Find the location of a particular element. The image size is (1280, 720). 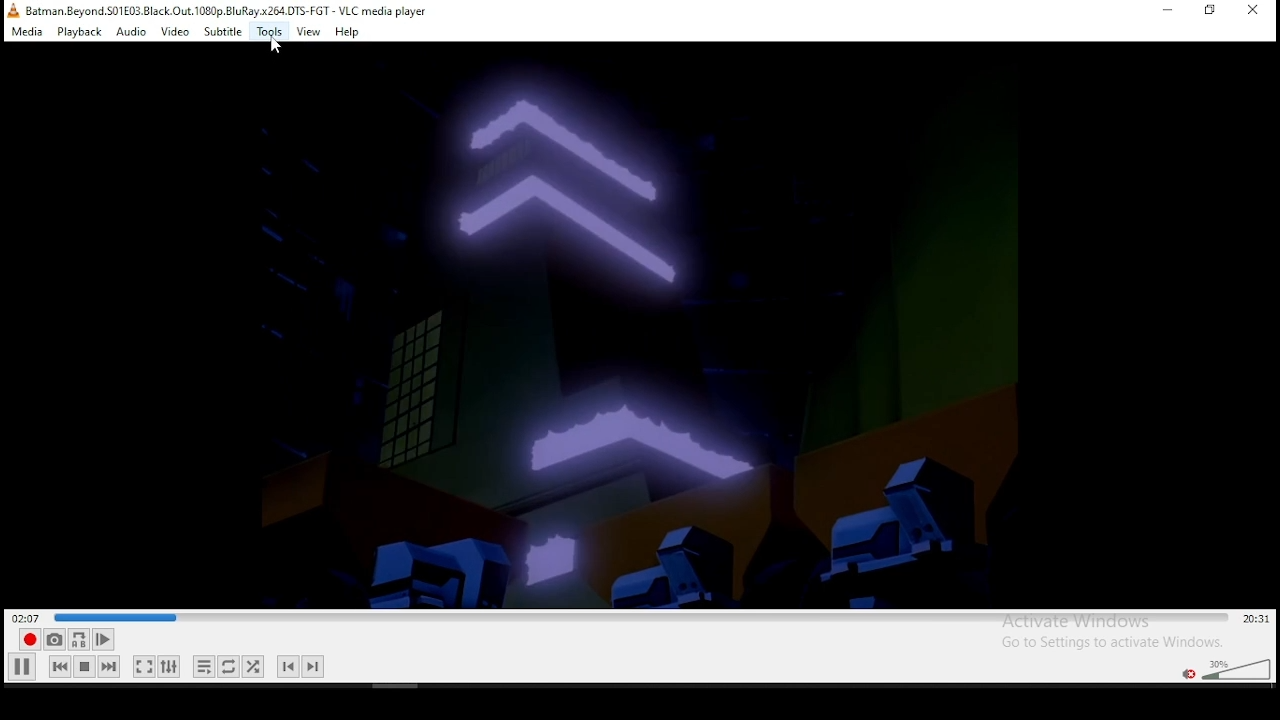

elapsed time is located at coordinates (27, 616).